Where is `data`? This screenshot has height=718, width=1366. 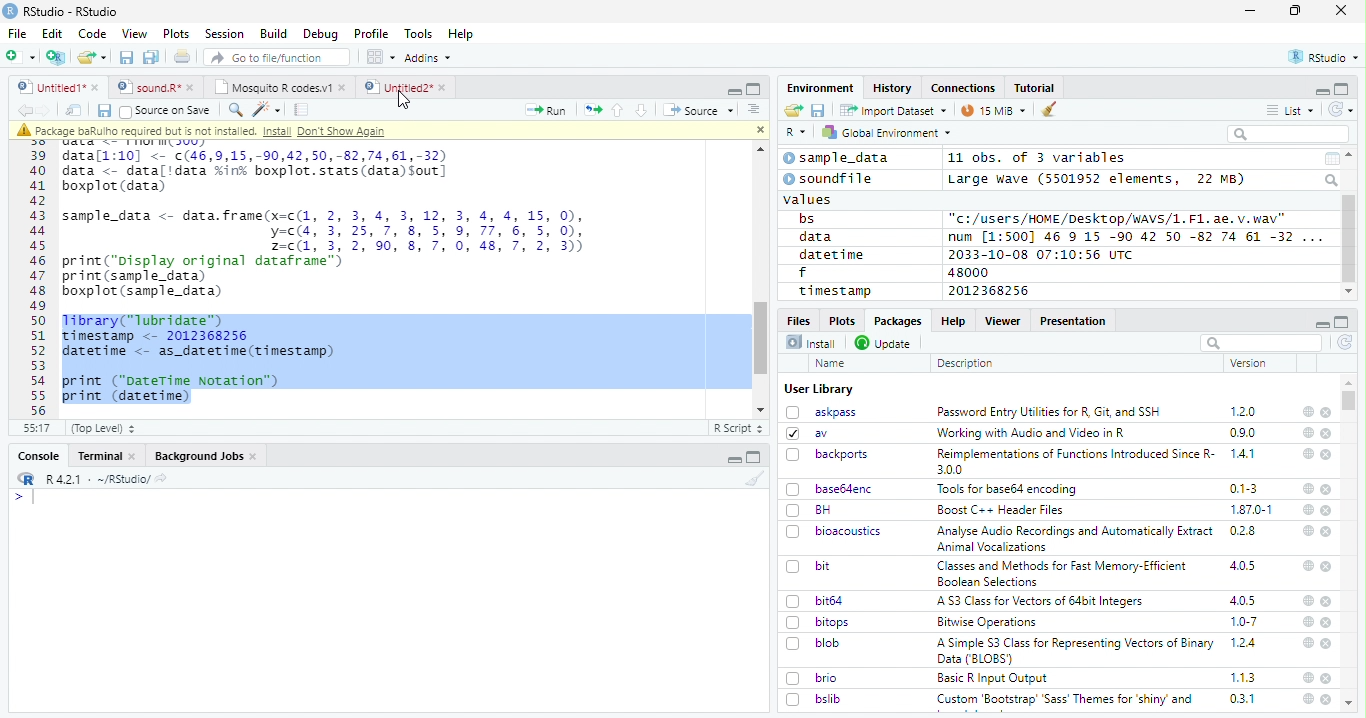 data is located at coordinates (819, 237).